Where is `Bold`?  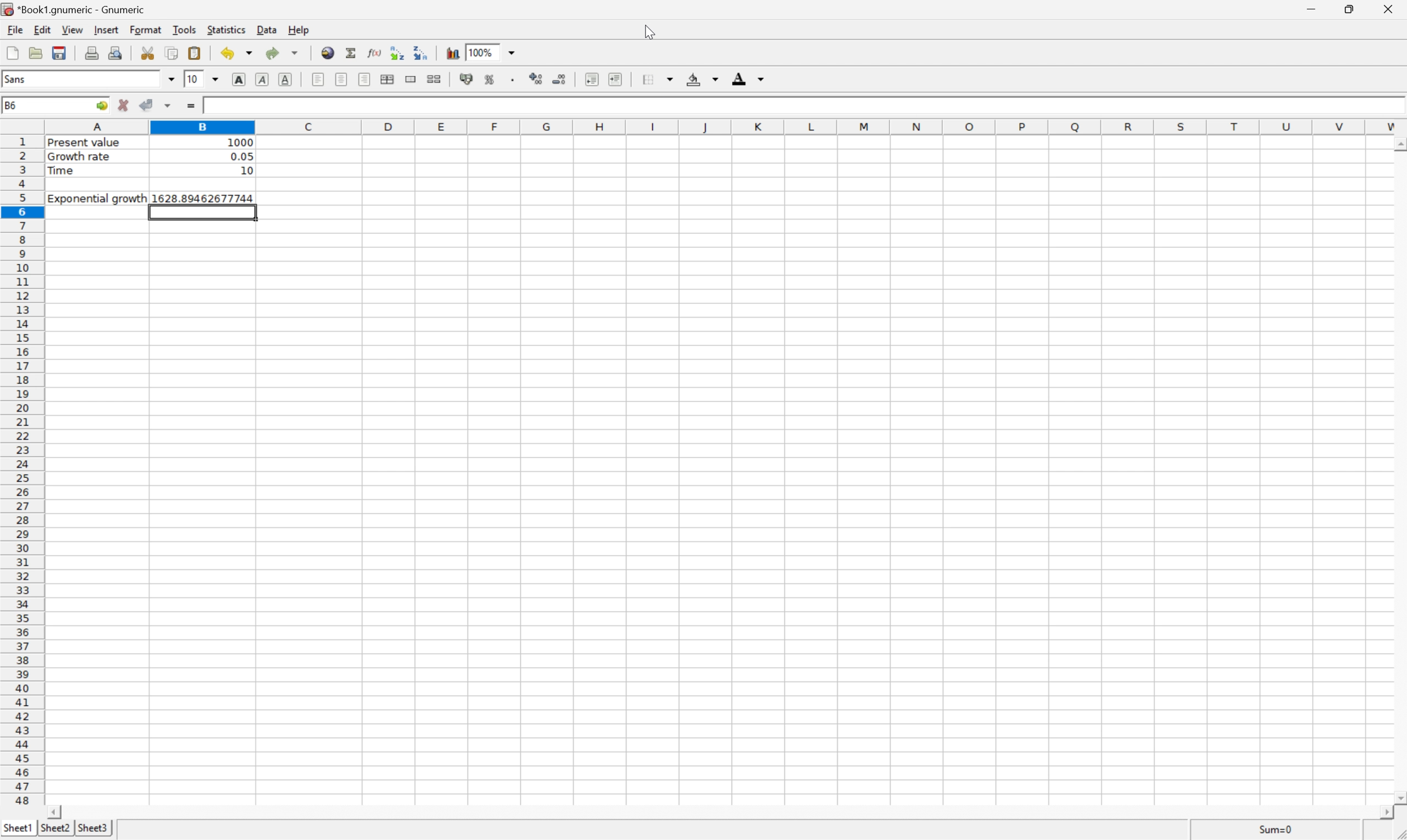
Bold is located at coordinates (240, 79).